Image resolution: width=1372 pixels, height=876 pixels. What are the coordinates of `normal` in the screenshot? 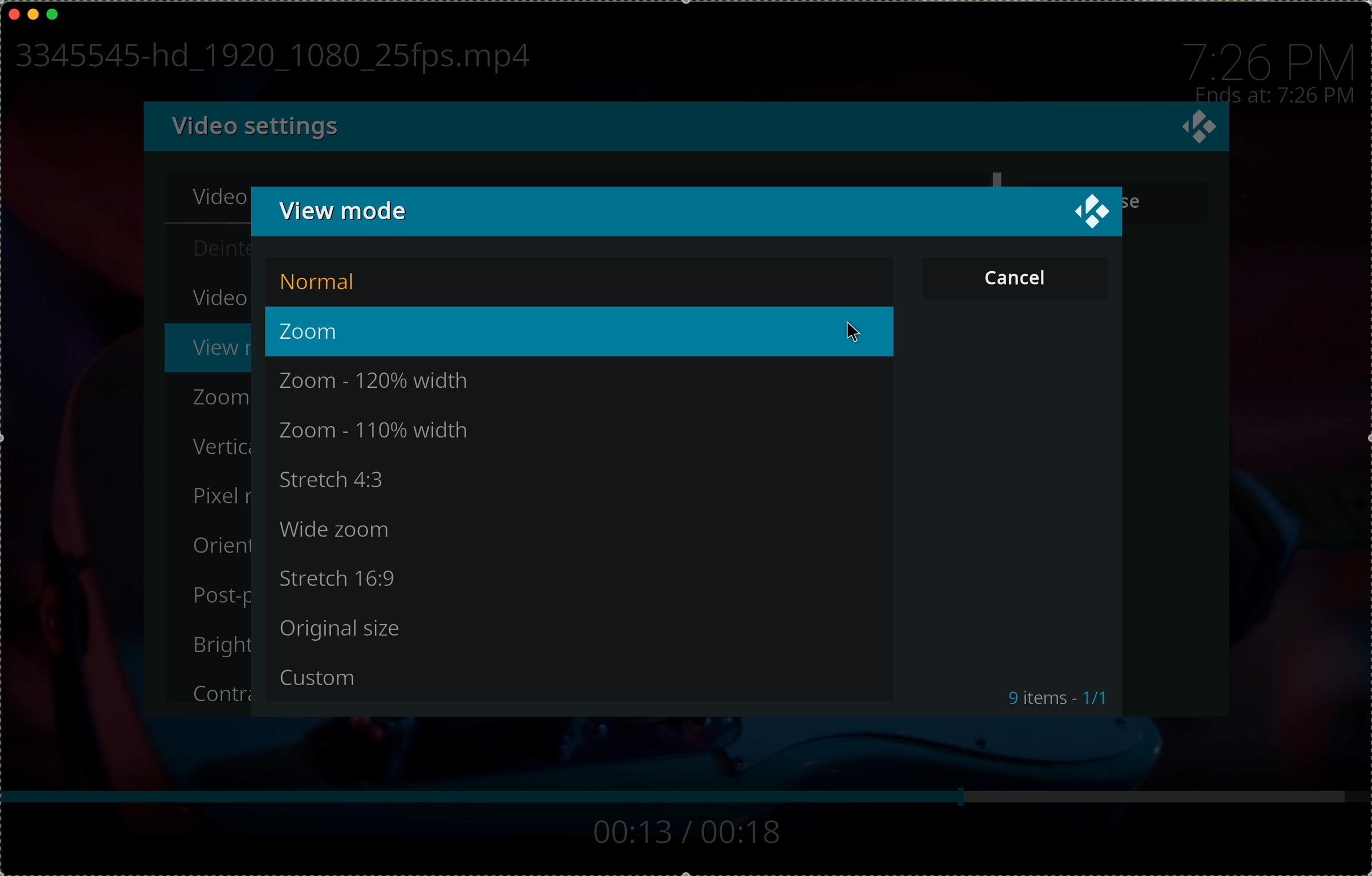 It's located at (319, 280).